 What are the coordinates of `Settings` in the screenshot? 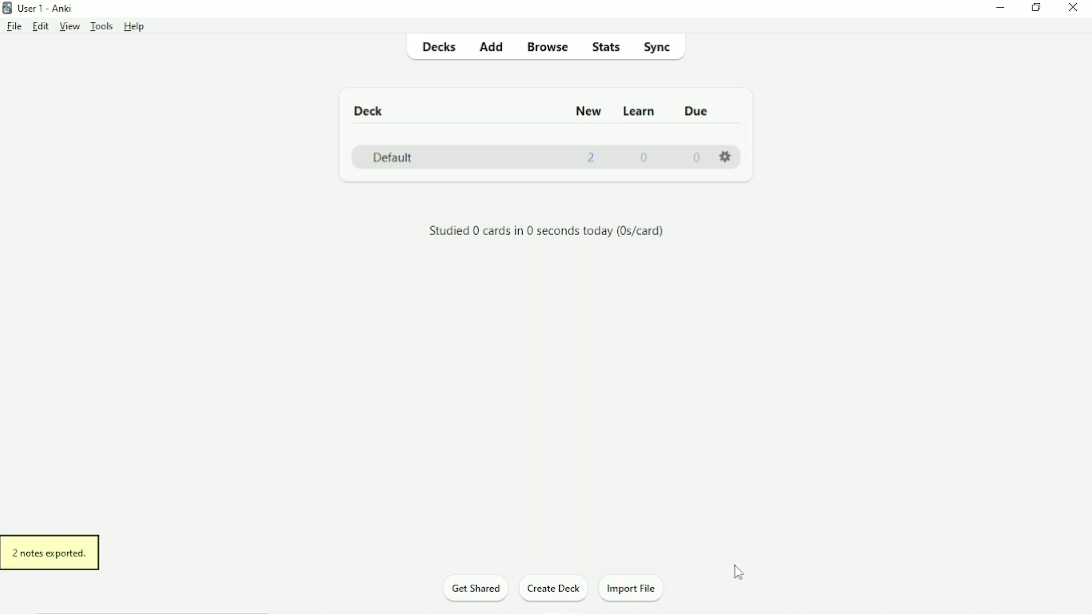 It's located at (728, 164).